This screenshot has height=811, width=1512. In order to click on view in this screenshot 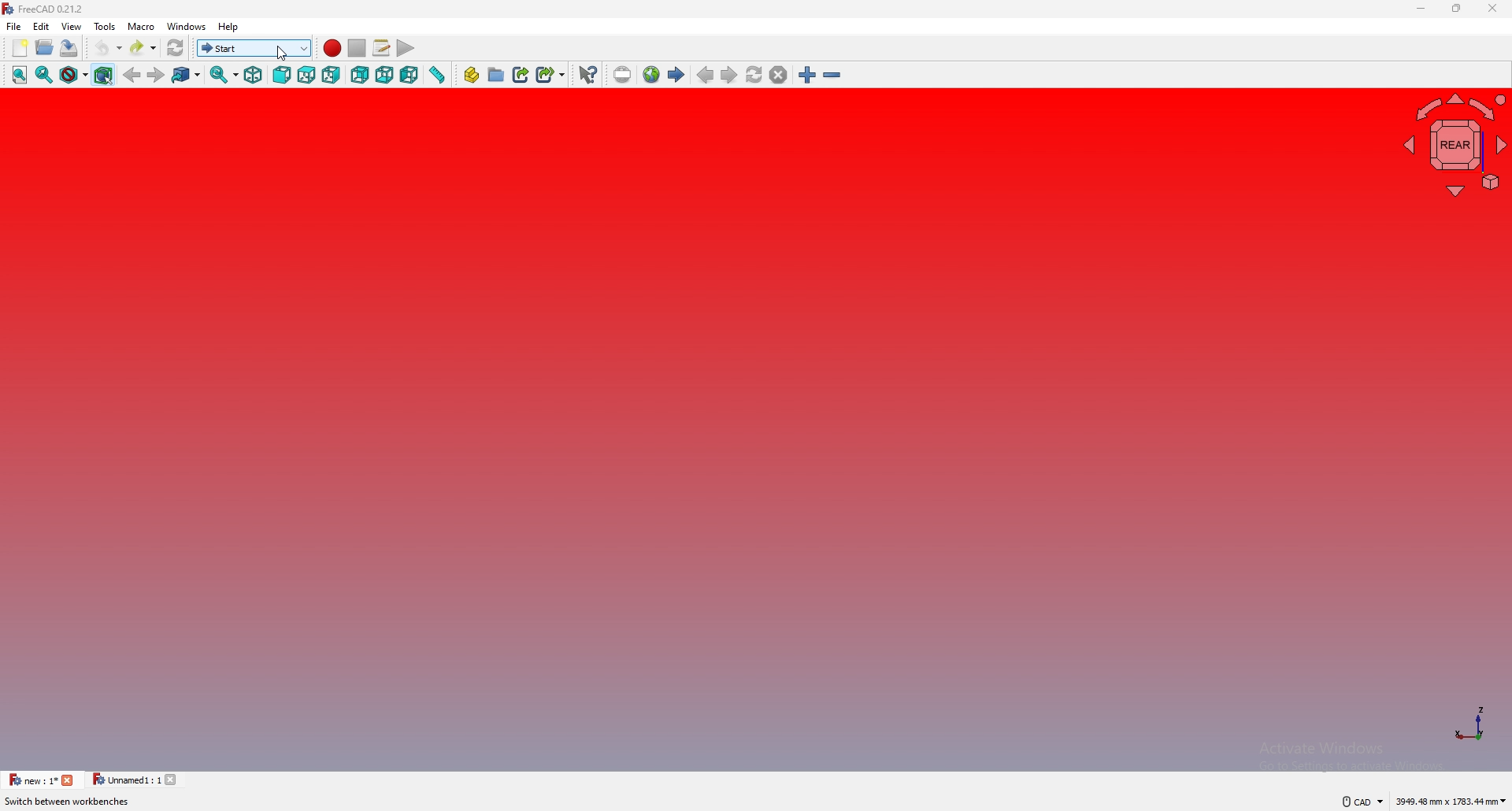, I will do `click(72, 25)`.